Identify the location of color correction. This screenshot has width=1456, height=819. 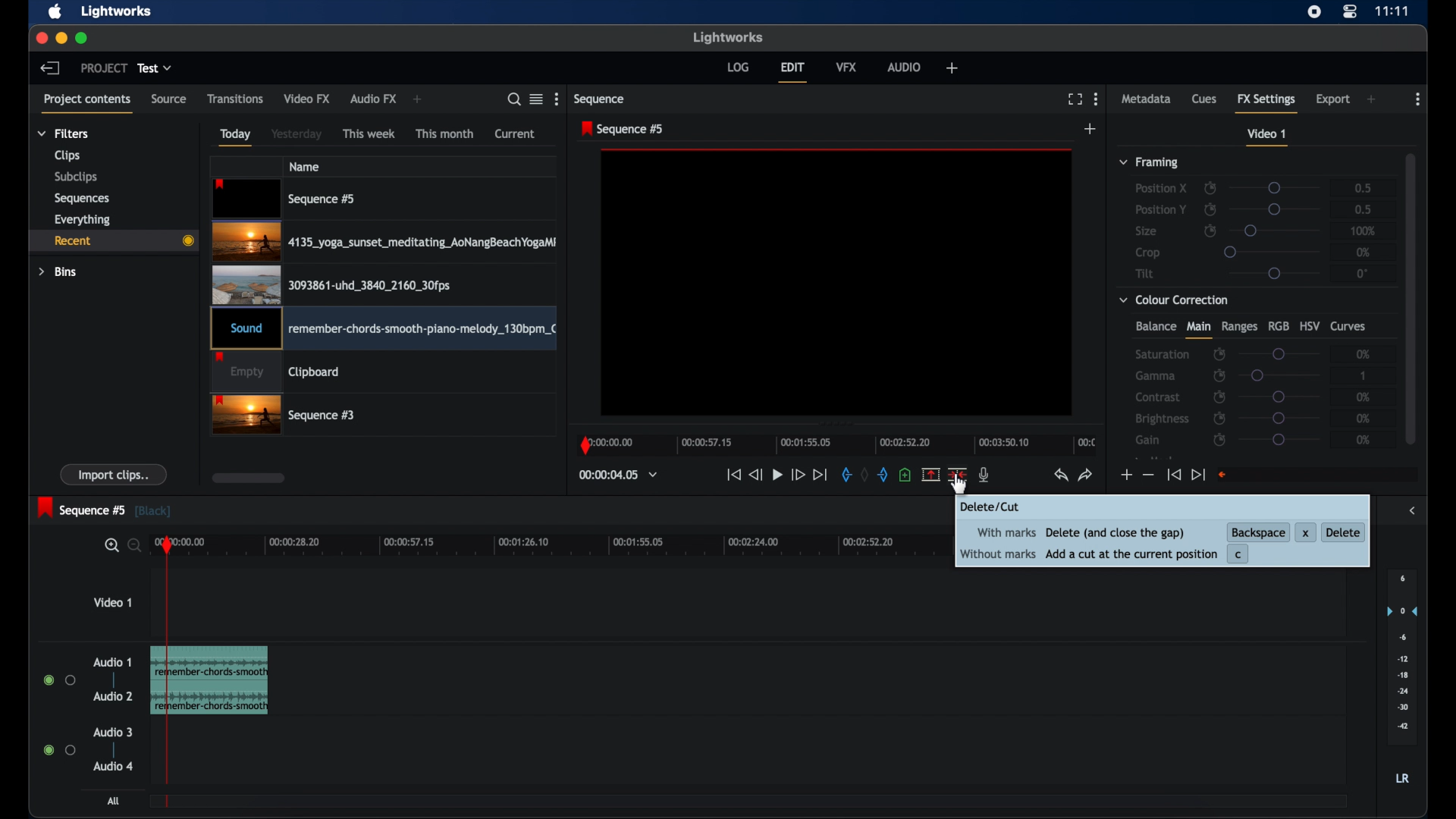
(1175, 300).